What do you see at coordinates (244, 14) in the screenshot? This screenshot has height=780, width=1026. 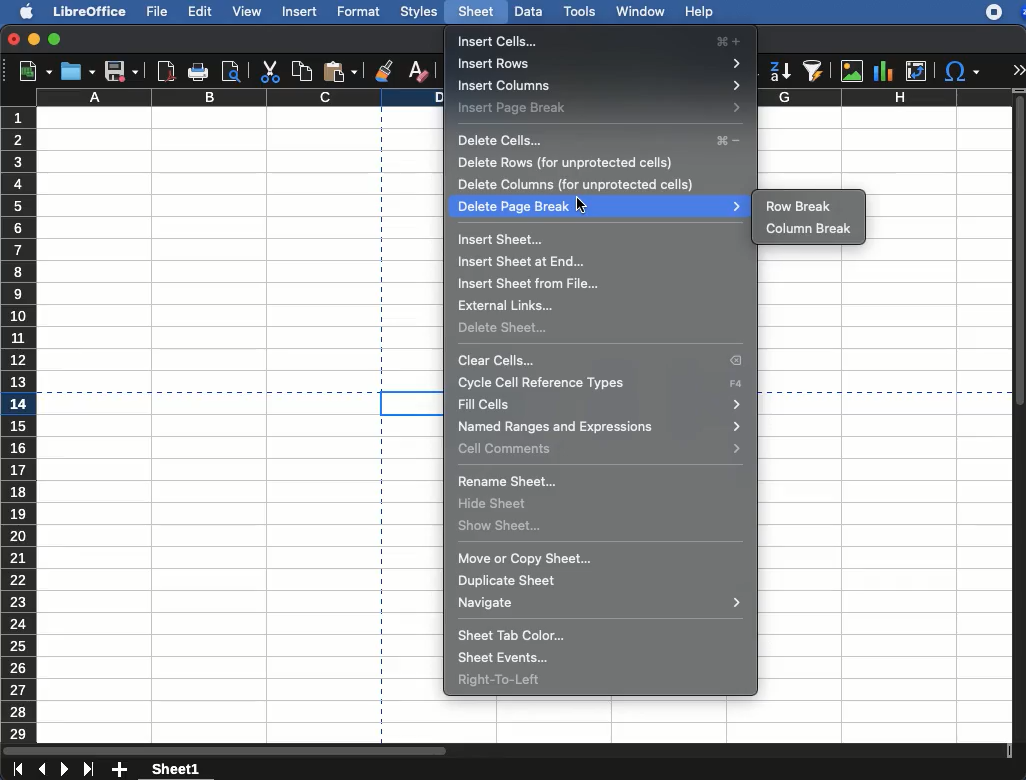 I see `view` at bounding box center [244, 14].